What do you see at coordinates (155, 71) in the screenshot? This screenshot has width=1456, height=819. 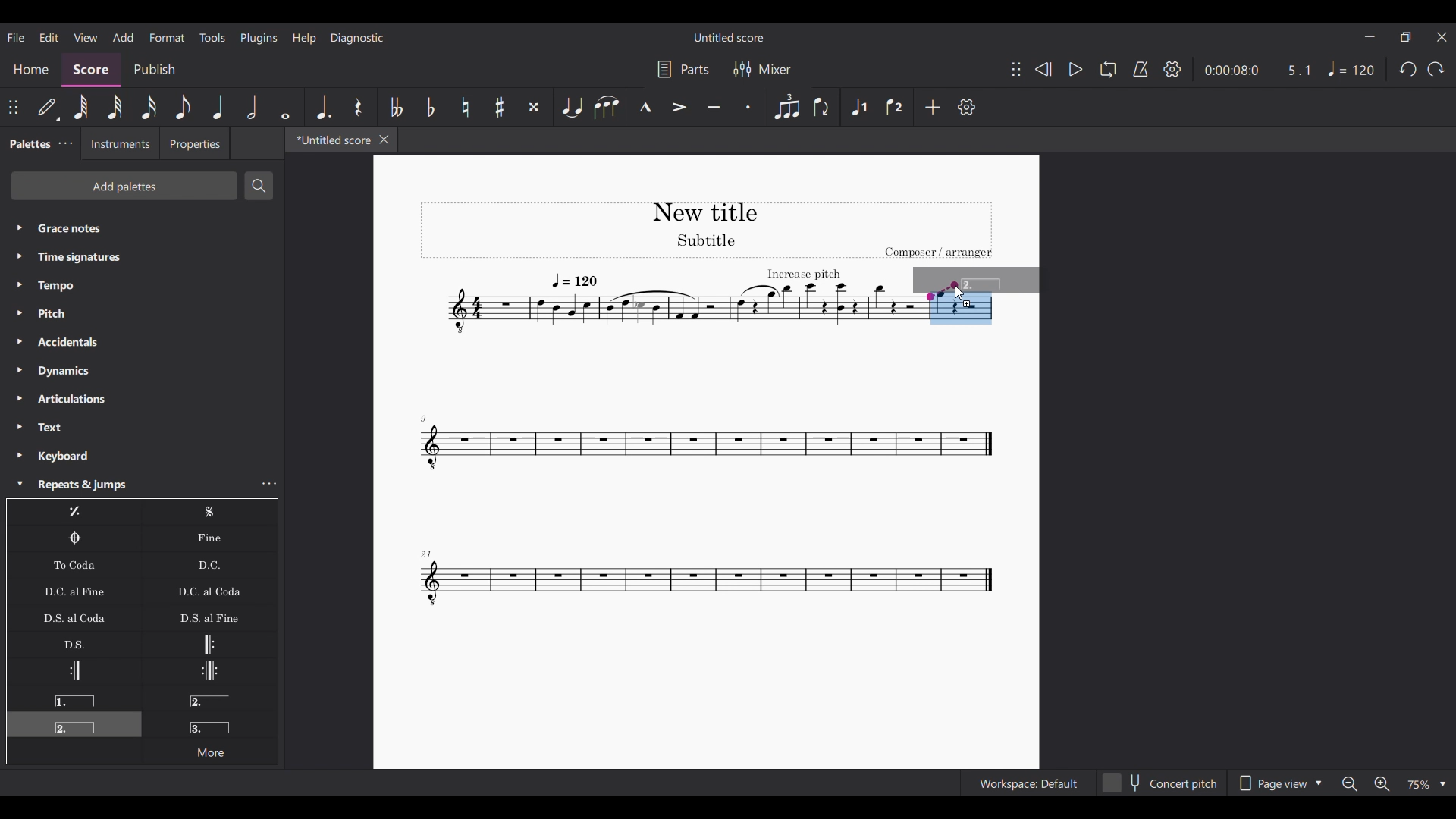 I see `Publish section` at bounding box center [155, 71].